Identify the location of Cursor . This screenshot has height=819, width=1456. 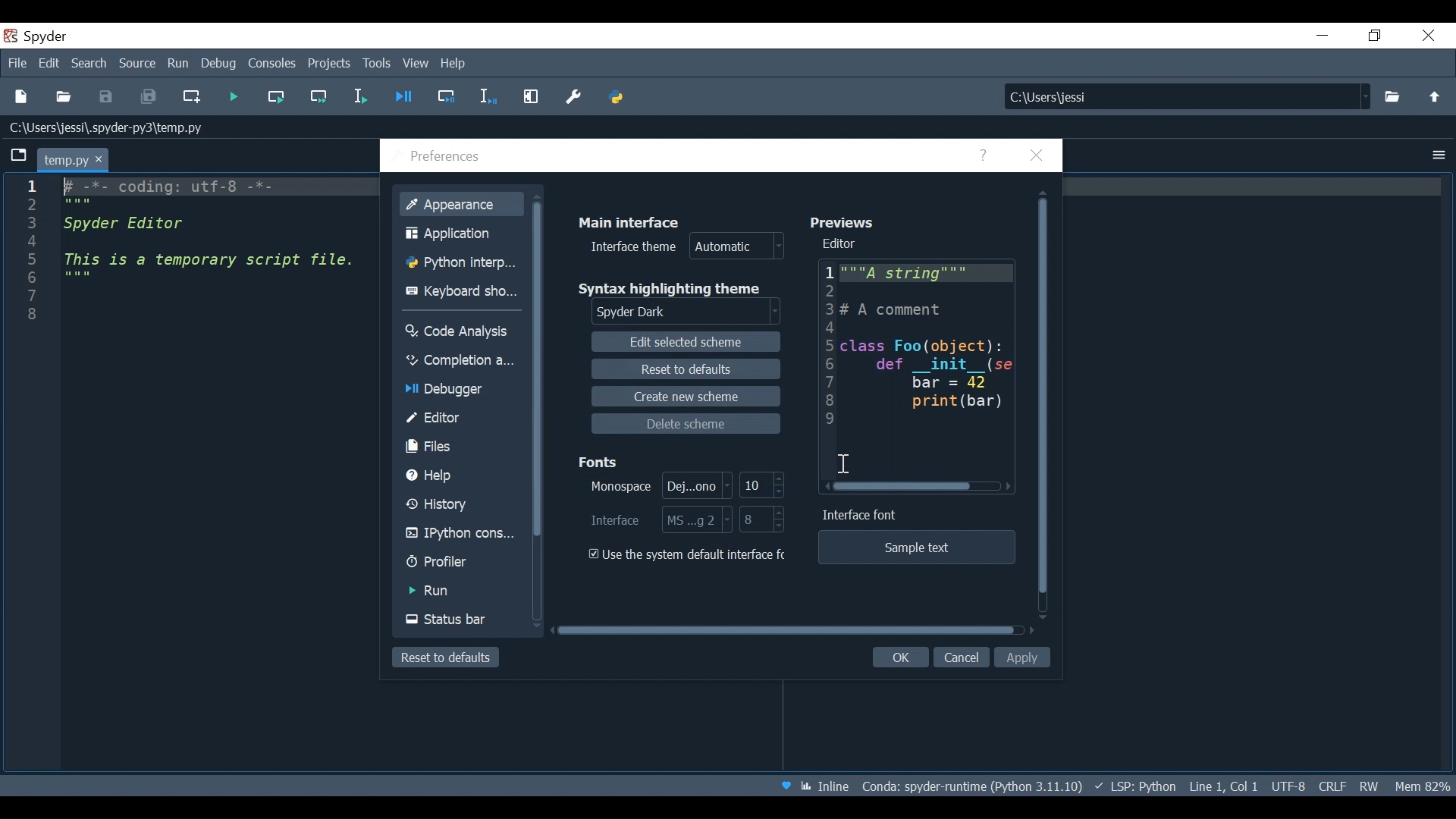
(840, 466).